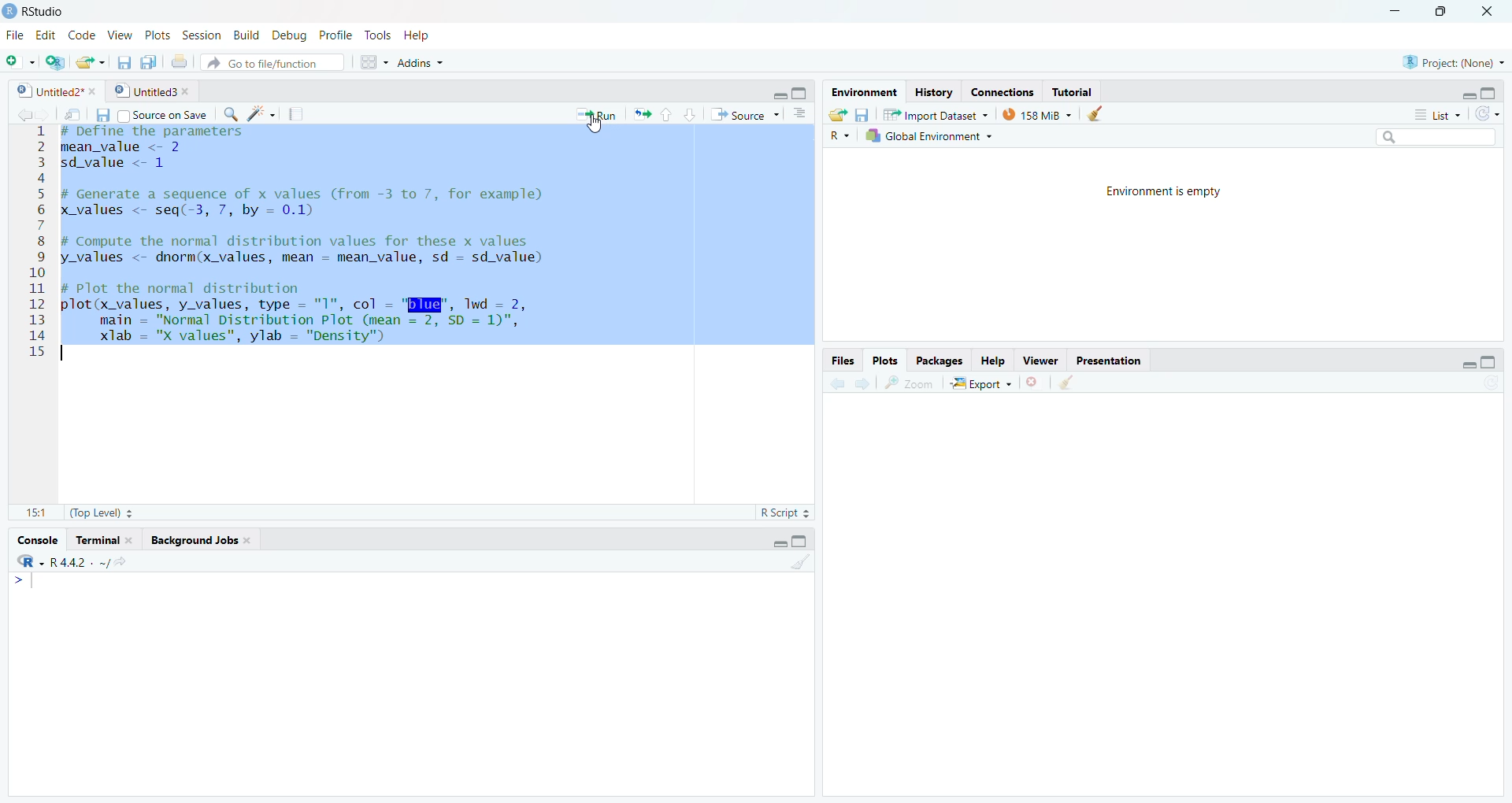 The width and height of the screenshot is (1512, 803). I want to click on Background Jobs, so click(216, 541).